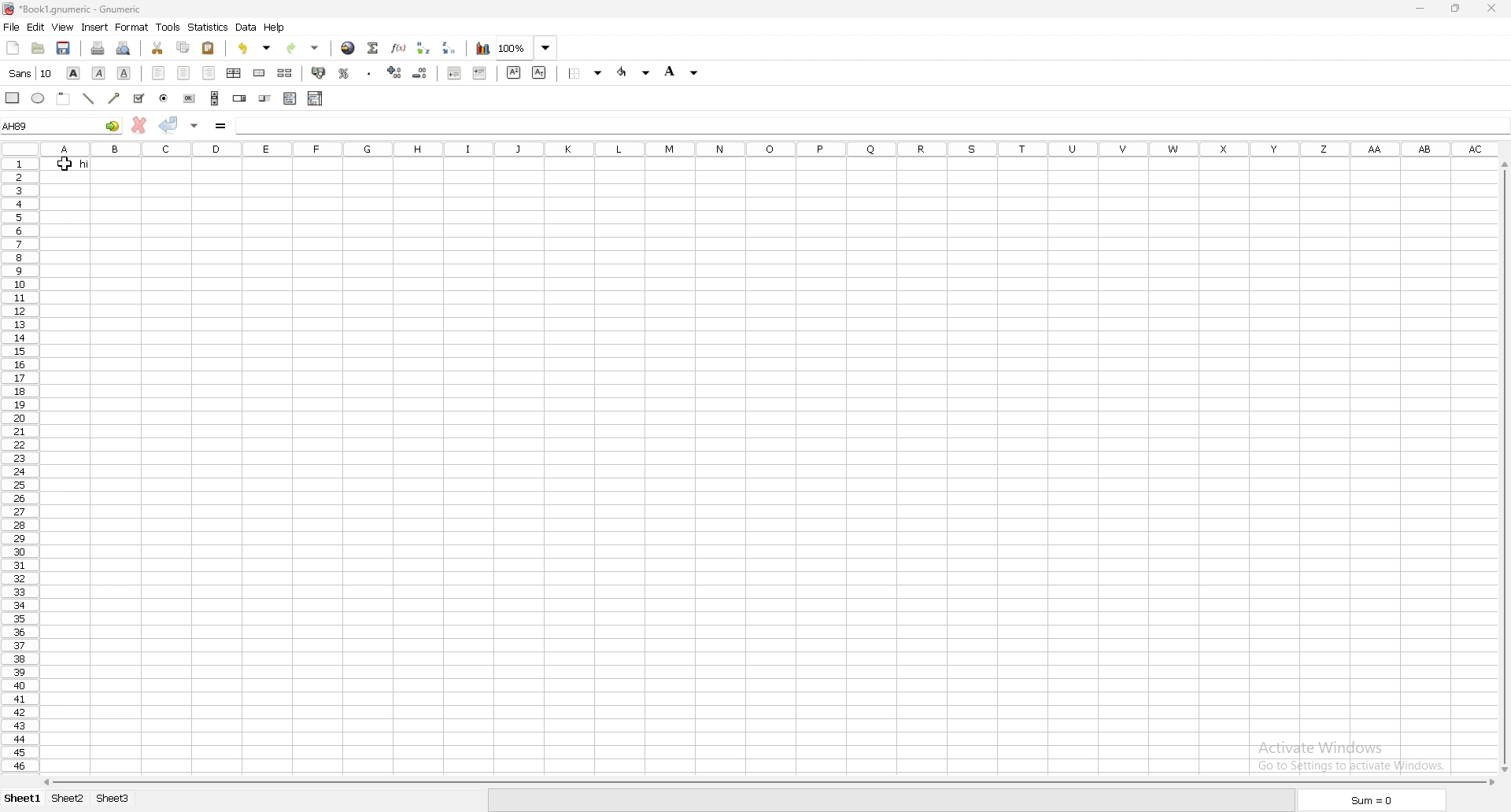  What do you see at coordinates (64, 98) in the screenshot?
I see `frame` at bounding box center [64, 98].